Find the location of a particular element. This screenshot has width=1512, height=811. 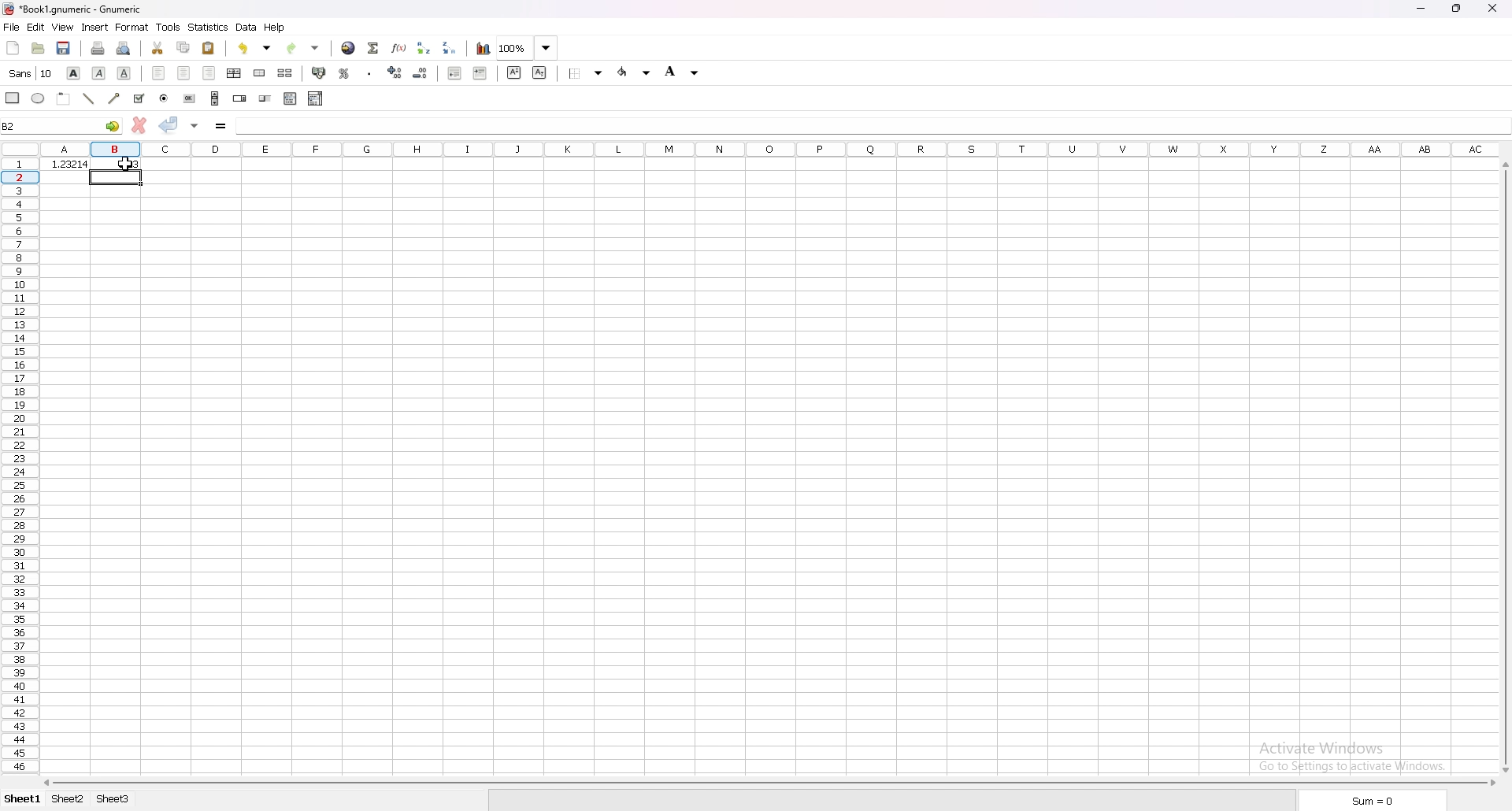

print preview is located at coordinates (124, 49).